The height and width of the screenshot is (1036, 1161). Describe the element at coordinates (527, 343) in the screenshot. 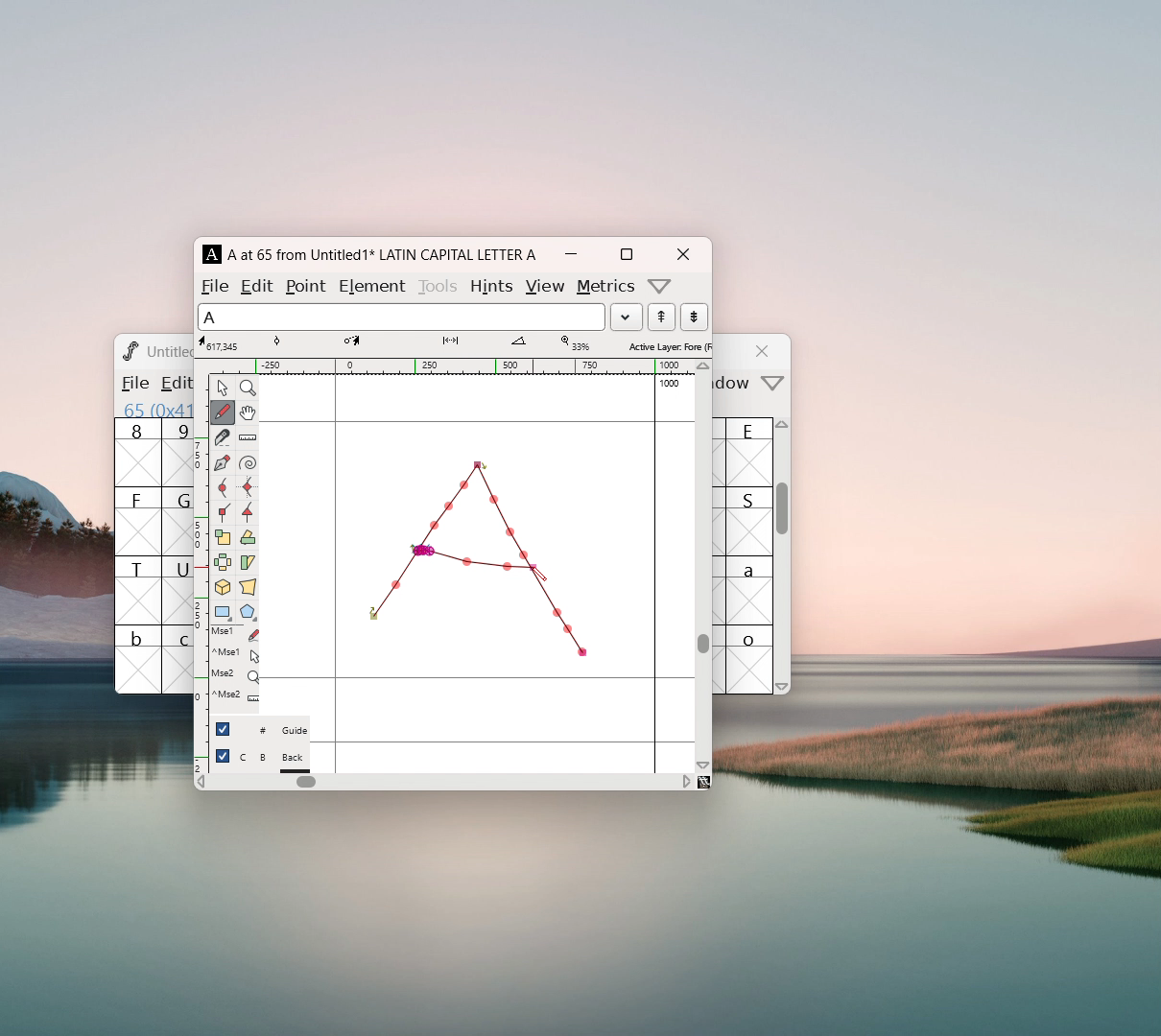

I see `angle` at that location.